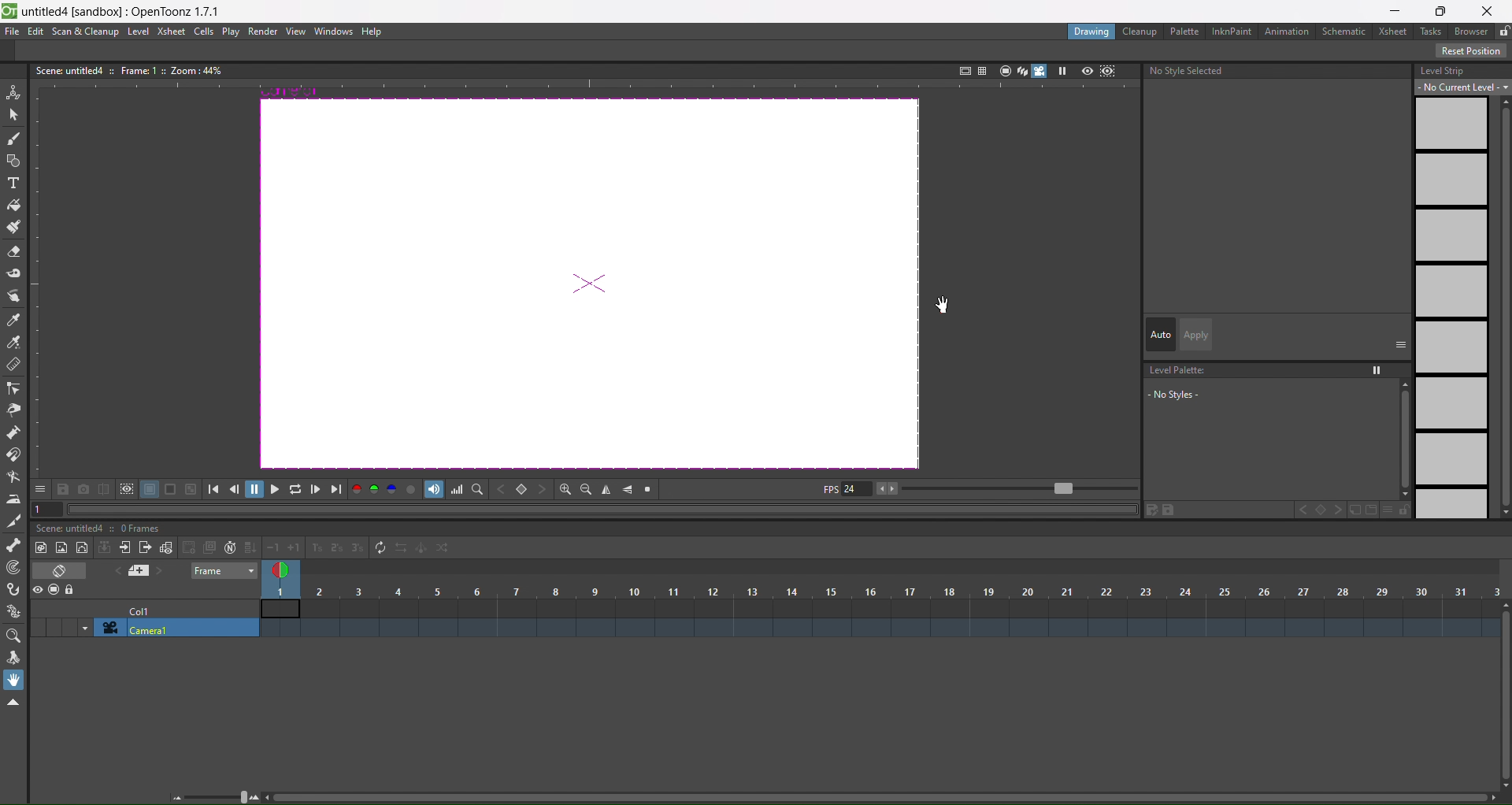  What do you see at coordinates (14, 139) in the screenshot?
I see `brush tool` at bounding box center [14, 139].